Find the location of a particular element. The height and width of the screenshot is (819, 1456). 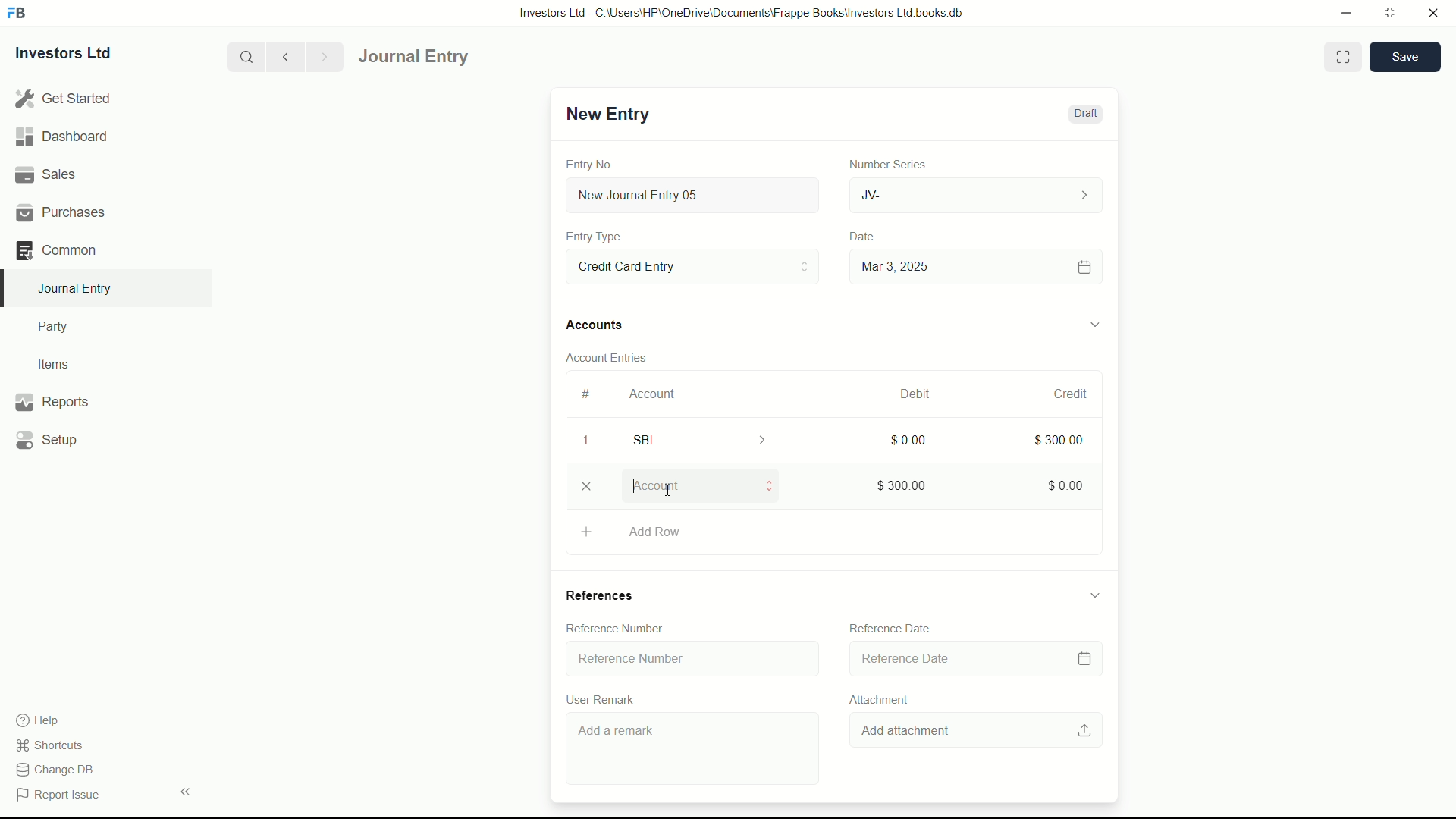

Entry No is located at coordinates (591, 162).